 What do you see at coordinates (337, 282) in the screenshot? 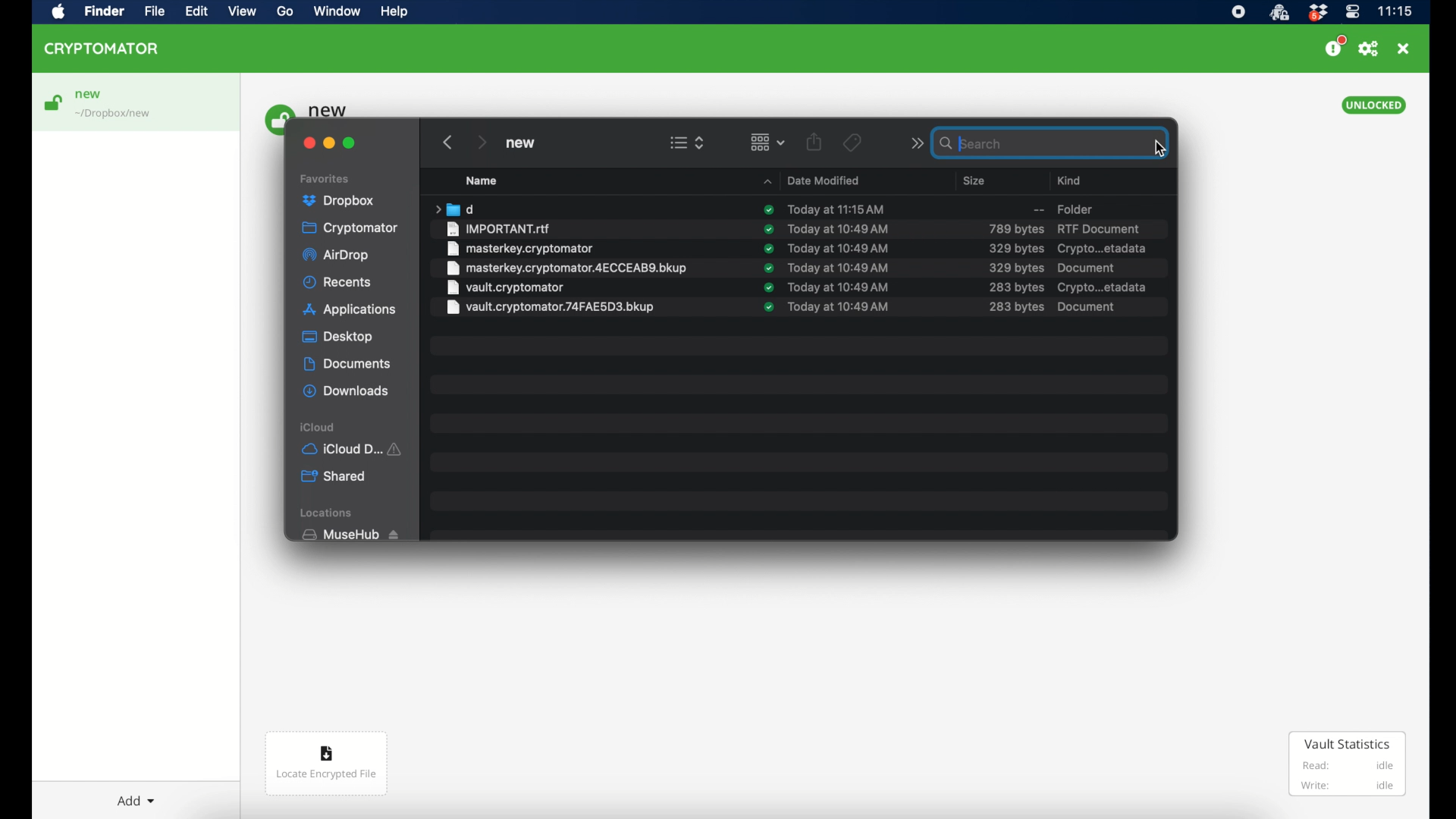
I see `recents` at bounding box center [337, 282].